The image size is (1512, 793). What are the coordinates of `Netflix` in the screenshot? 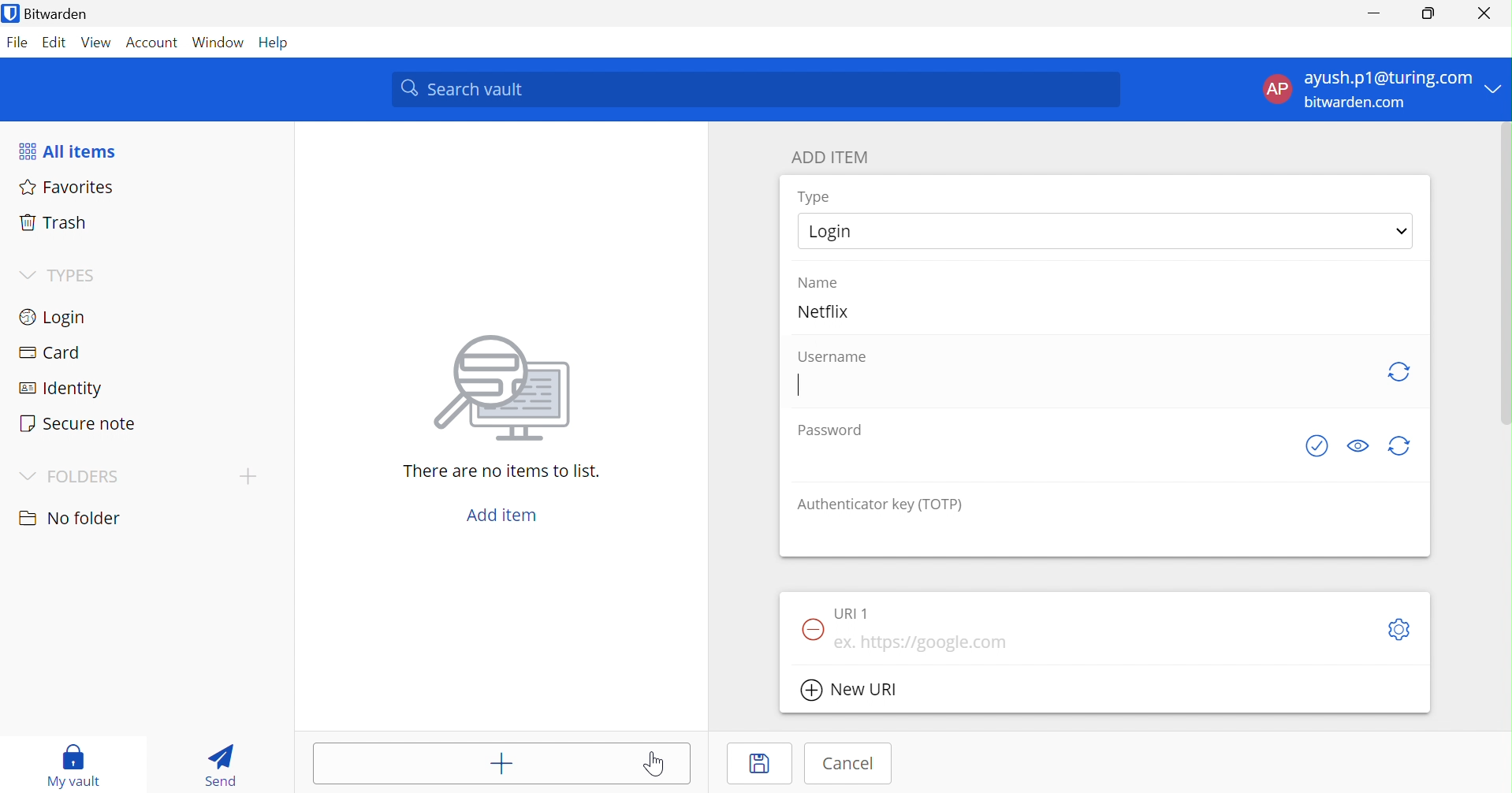 It's located at (822, 311).